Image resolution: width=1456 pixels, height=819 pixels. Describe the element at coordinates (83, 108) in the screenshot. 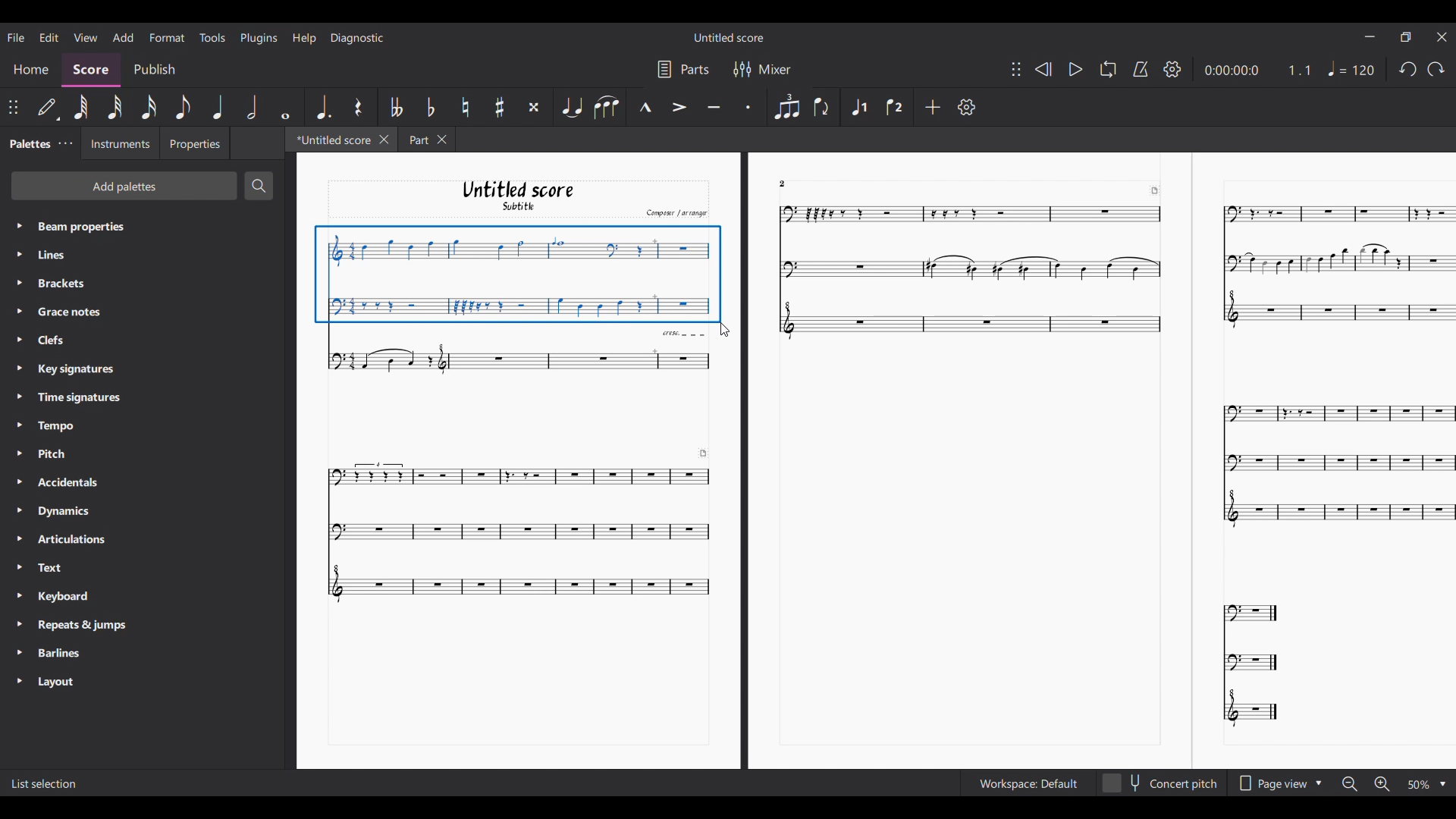

I see `64th note` at that location.